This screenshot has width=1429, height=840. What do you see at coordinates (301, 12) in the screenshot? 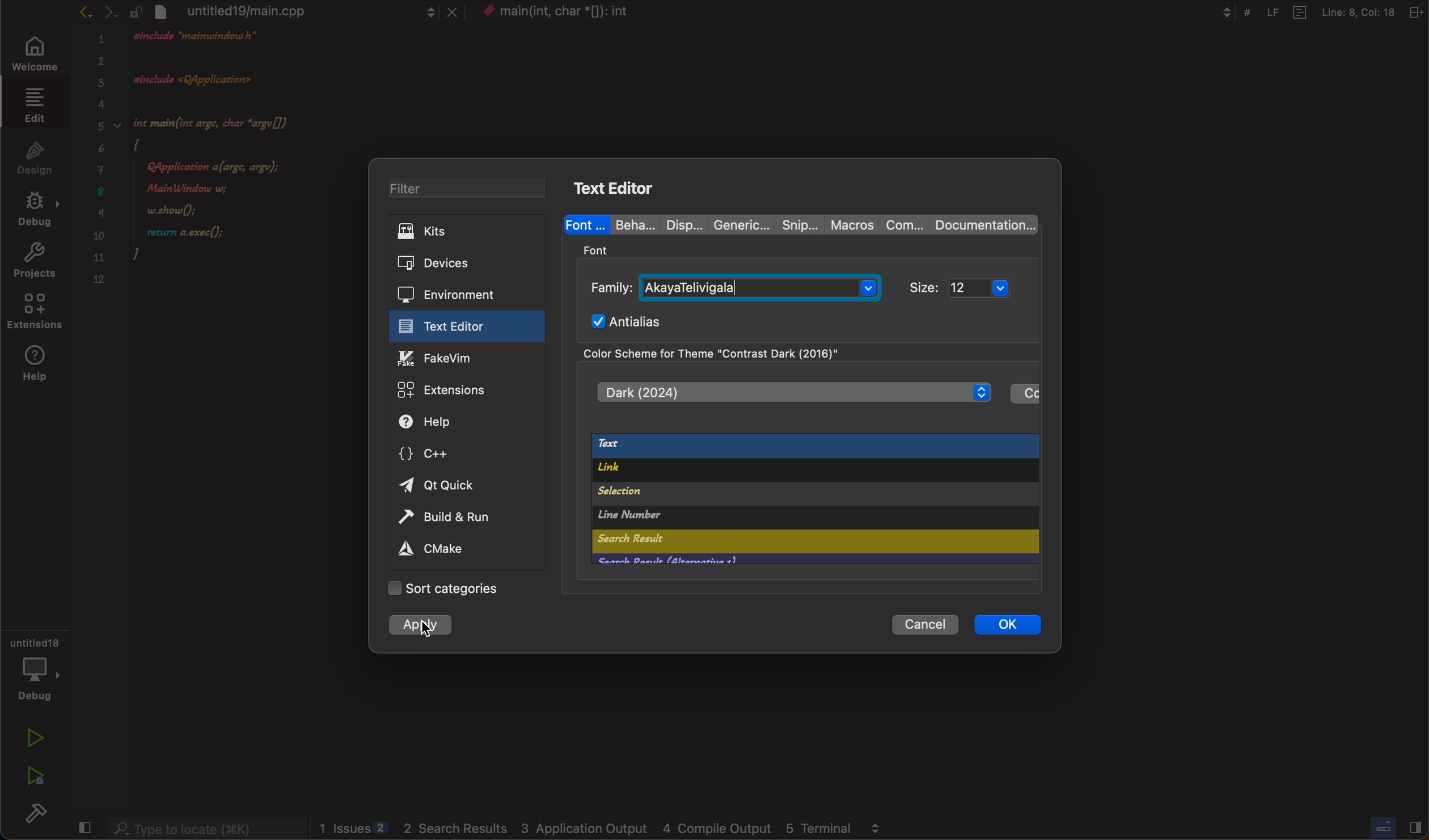
I see `font changed` at bounding box center [301, 12].